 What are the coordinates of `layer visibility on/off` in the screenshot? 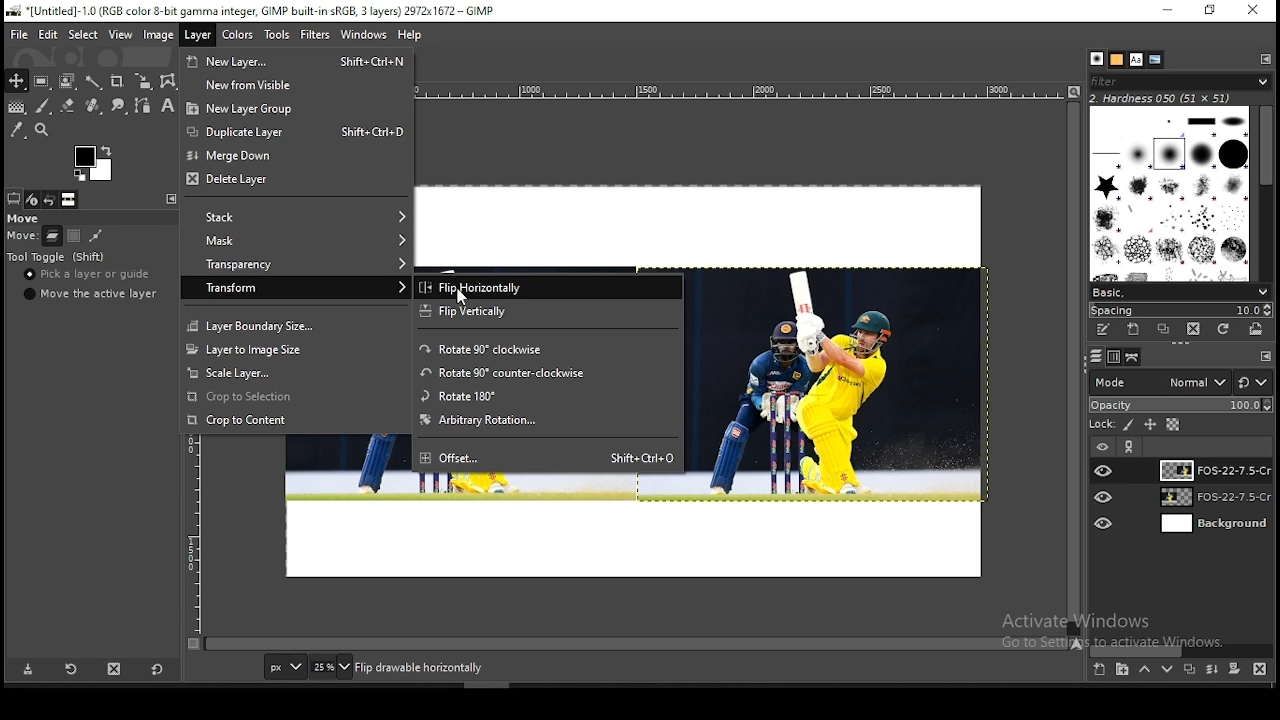 It's located at (1105, 497).